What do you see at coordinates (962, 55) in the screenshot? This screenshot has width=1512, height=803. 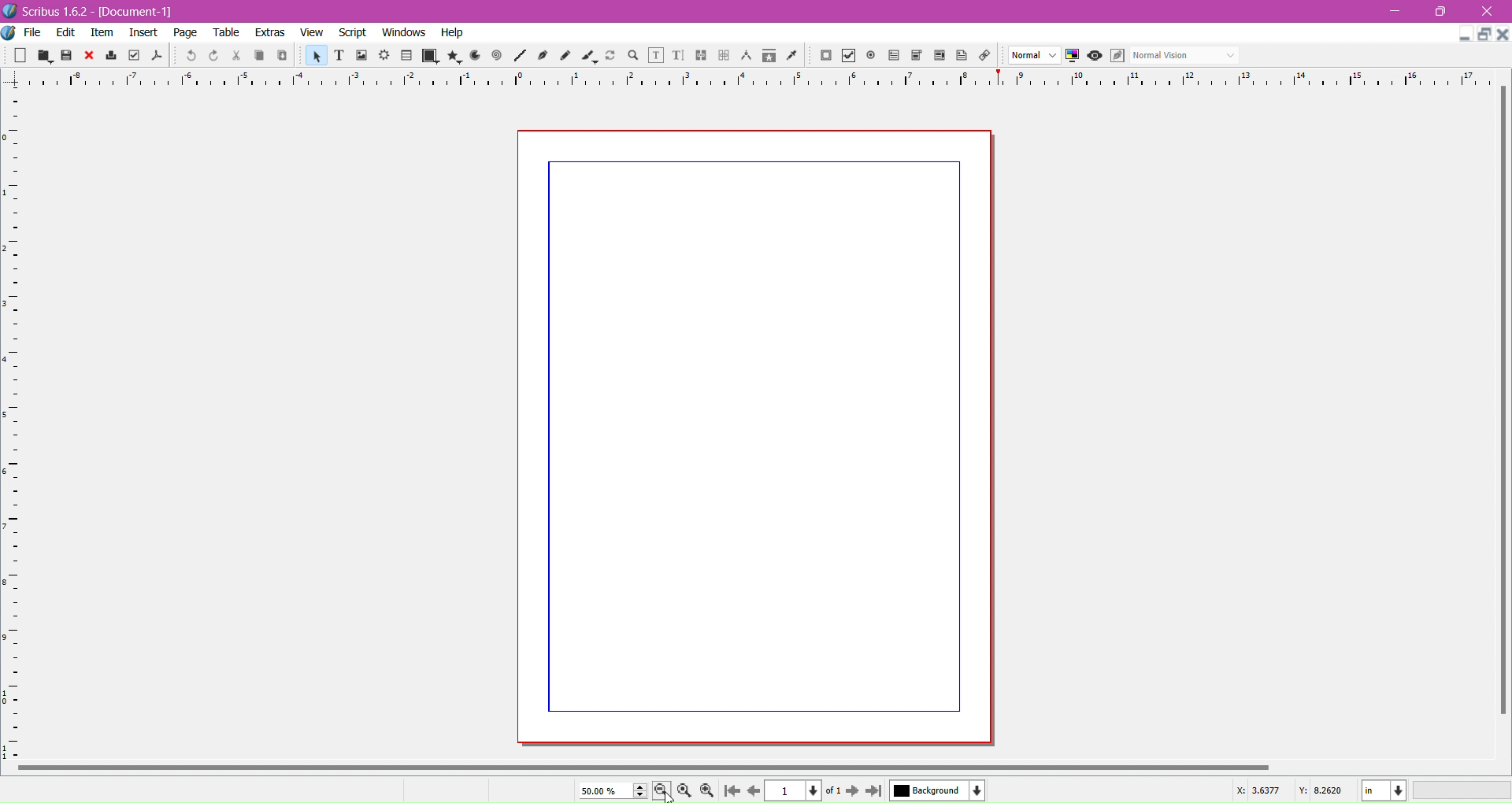 I see `Text Annotations` at bounding box center [962, 55].